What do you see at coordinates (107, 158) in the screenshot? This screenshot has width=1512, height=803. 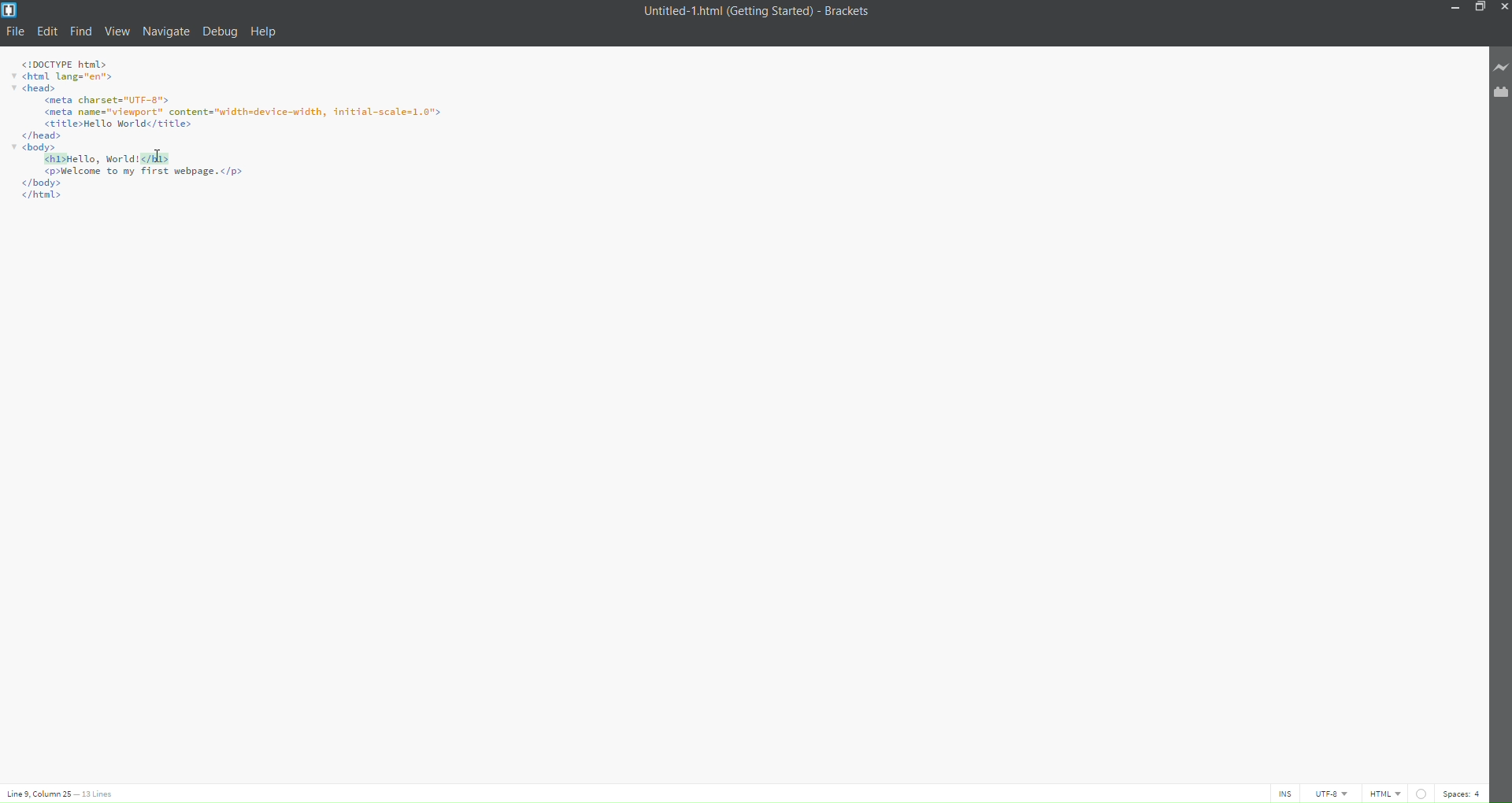 I see `selected part` at bounding box center [107, 158].